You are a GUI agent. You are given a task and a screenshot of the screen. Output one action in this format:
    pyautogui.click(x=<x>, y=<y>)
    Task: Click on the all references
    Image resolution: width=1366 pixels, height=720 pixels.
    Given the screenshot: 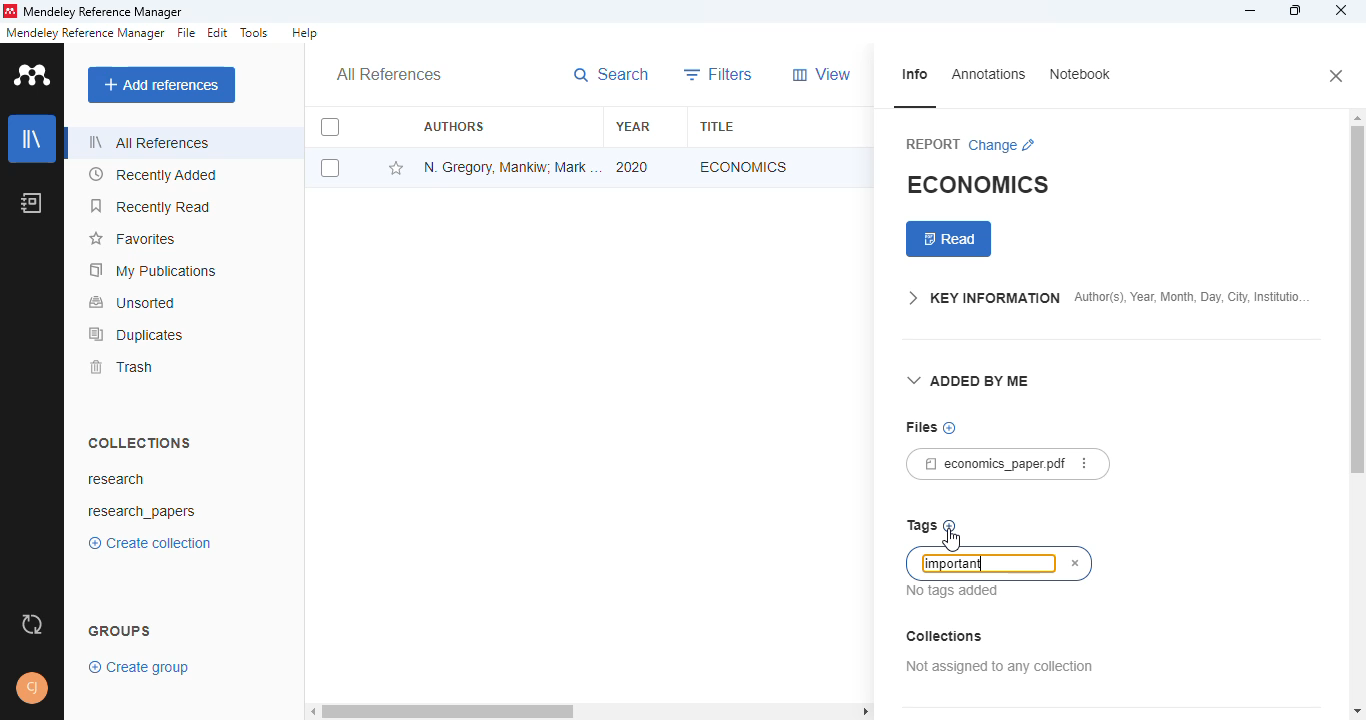 What is the action you would take?
    pyautogui.click(x=145, y=142)
    